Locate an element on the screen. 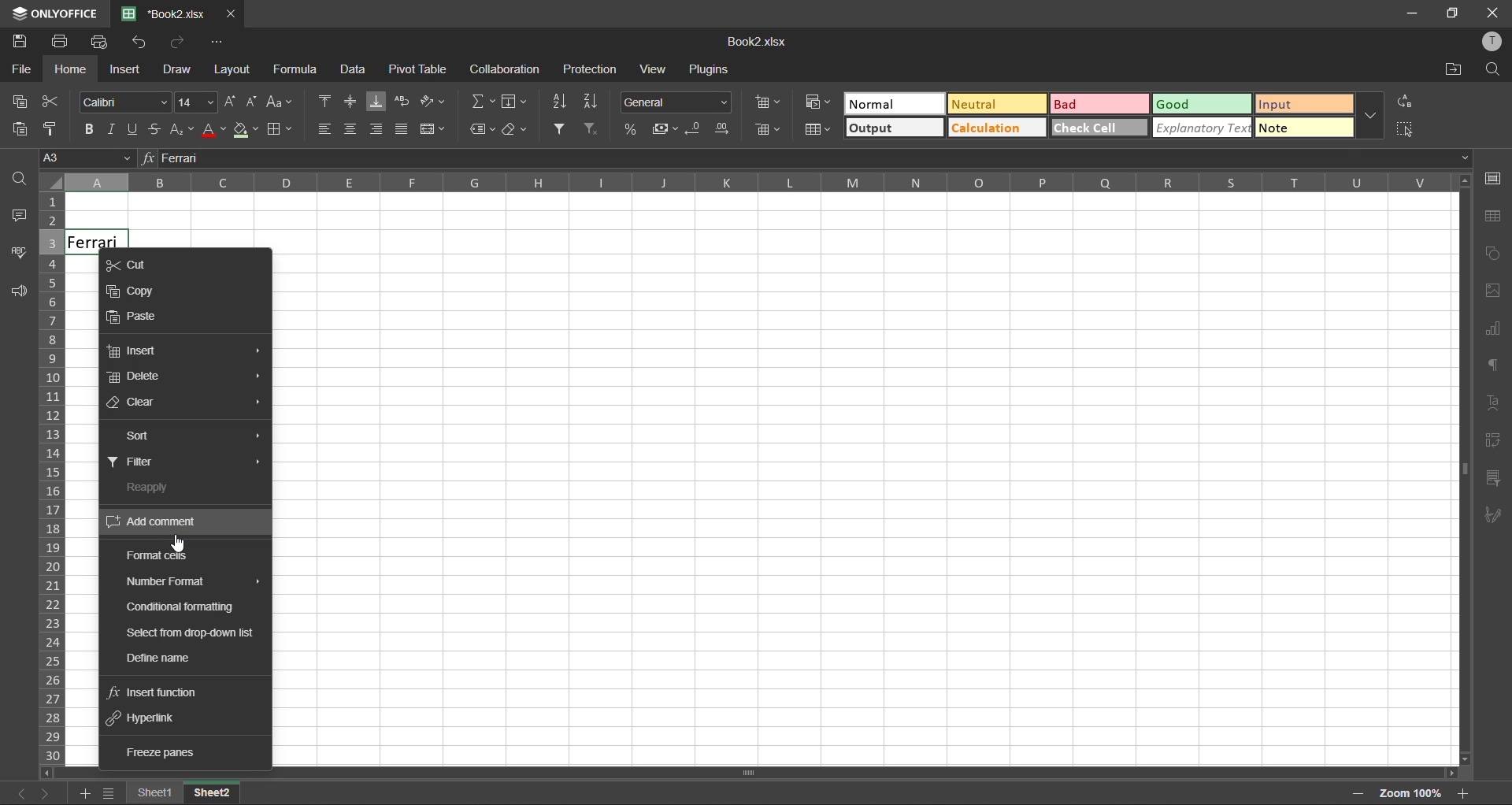 The image size is (1512, 805). cut is located at coordinates (54, 101).